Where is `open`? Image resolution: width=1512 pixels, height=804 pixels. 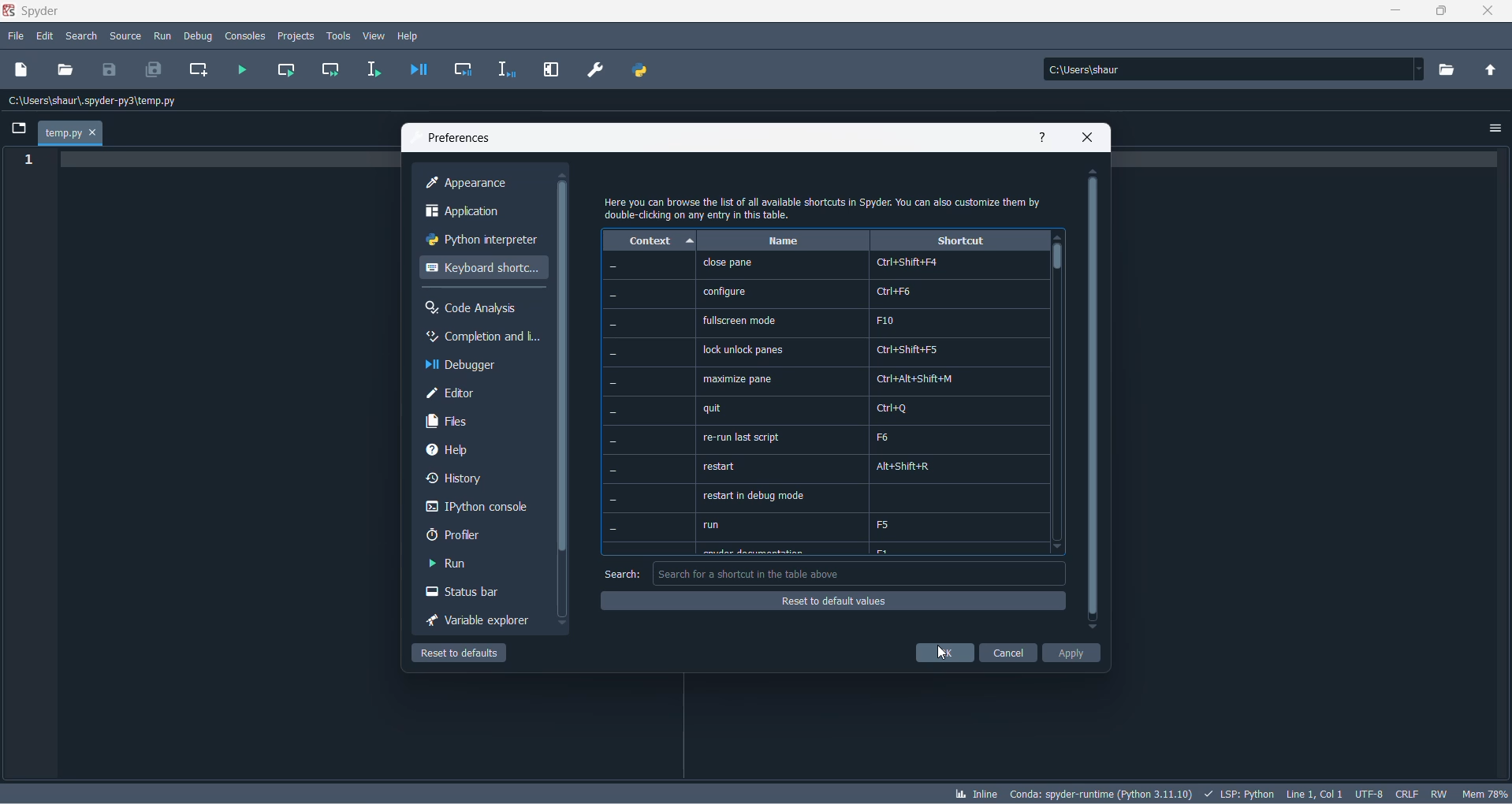 open is located at coordinates (65, 69).